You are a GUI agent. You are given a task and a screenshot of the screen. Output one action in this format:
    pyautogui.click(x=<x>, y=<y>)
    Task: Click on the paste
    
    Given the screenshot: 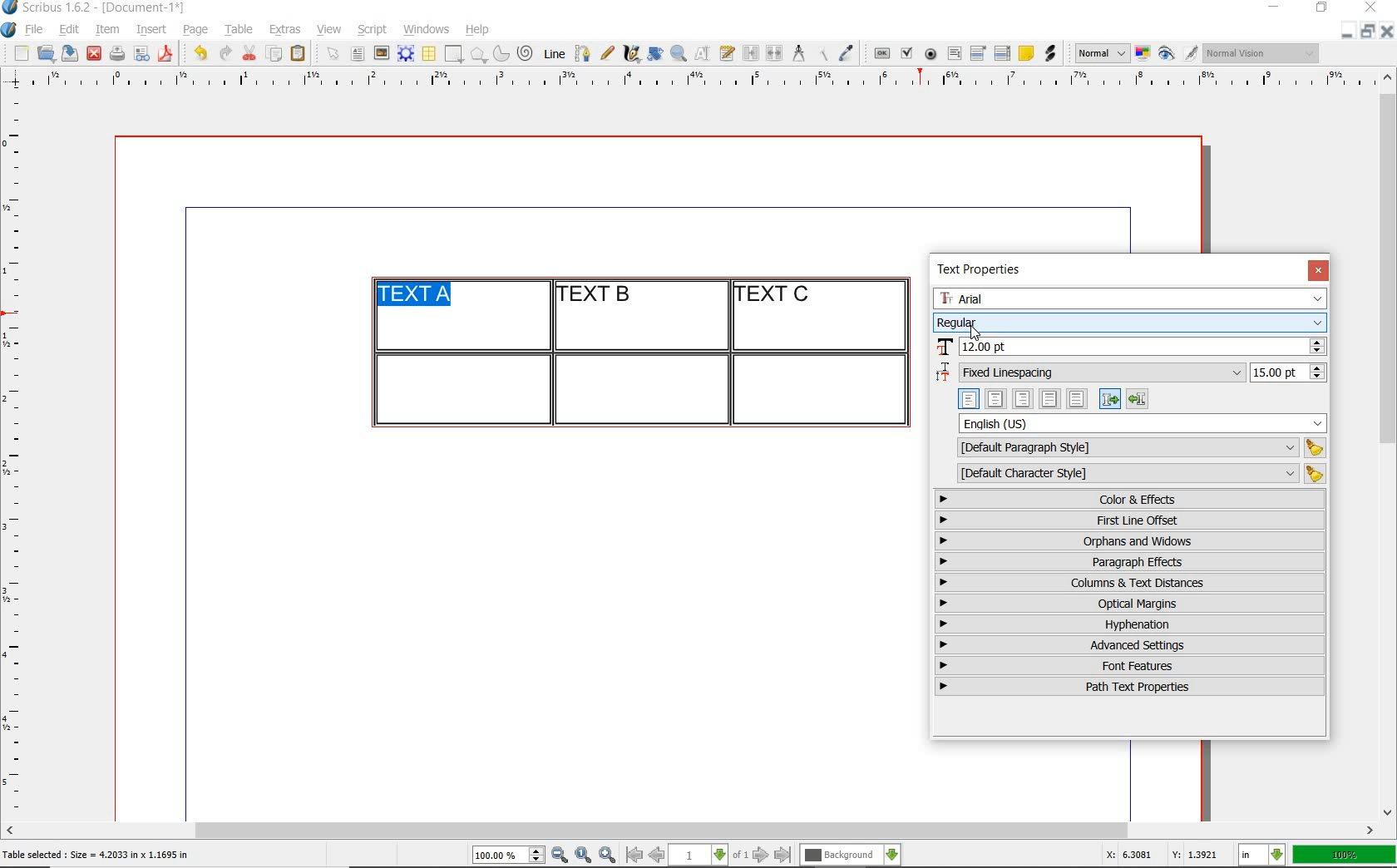 What is the action you would take?
    pyautogui.click(x=301, y=54)
    